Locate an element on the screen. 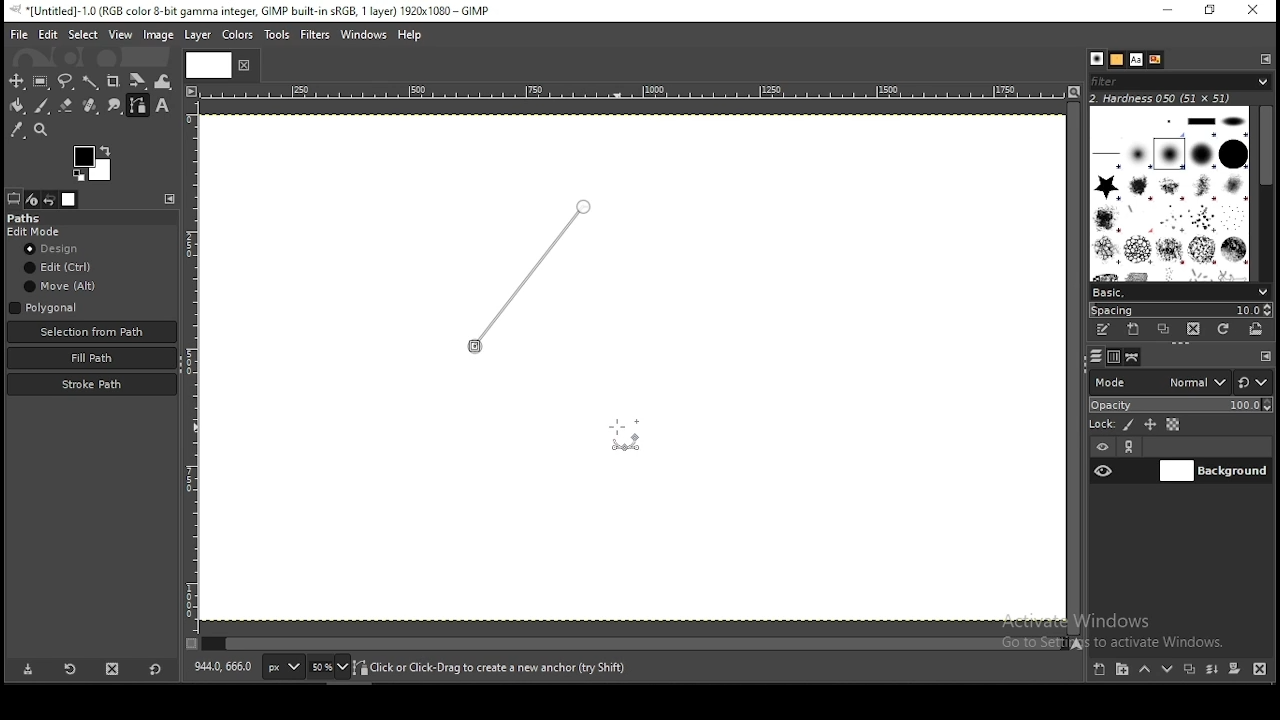 This screenshot has height=720, width=1280. 872.0, 196.0 is located at coordinates (225, 669).